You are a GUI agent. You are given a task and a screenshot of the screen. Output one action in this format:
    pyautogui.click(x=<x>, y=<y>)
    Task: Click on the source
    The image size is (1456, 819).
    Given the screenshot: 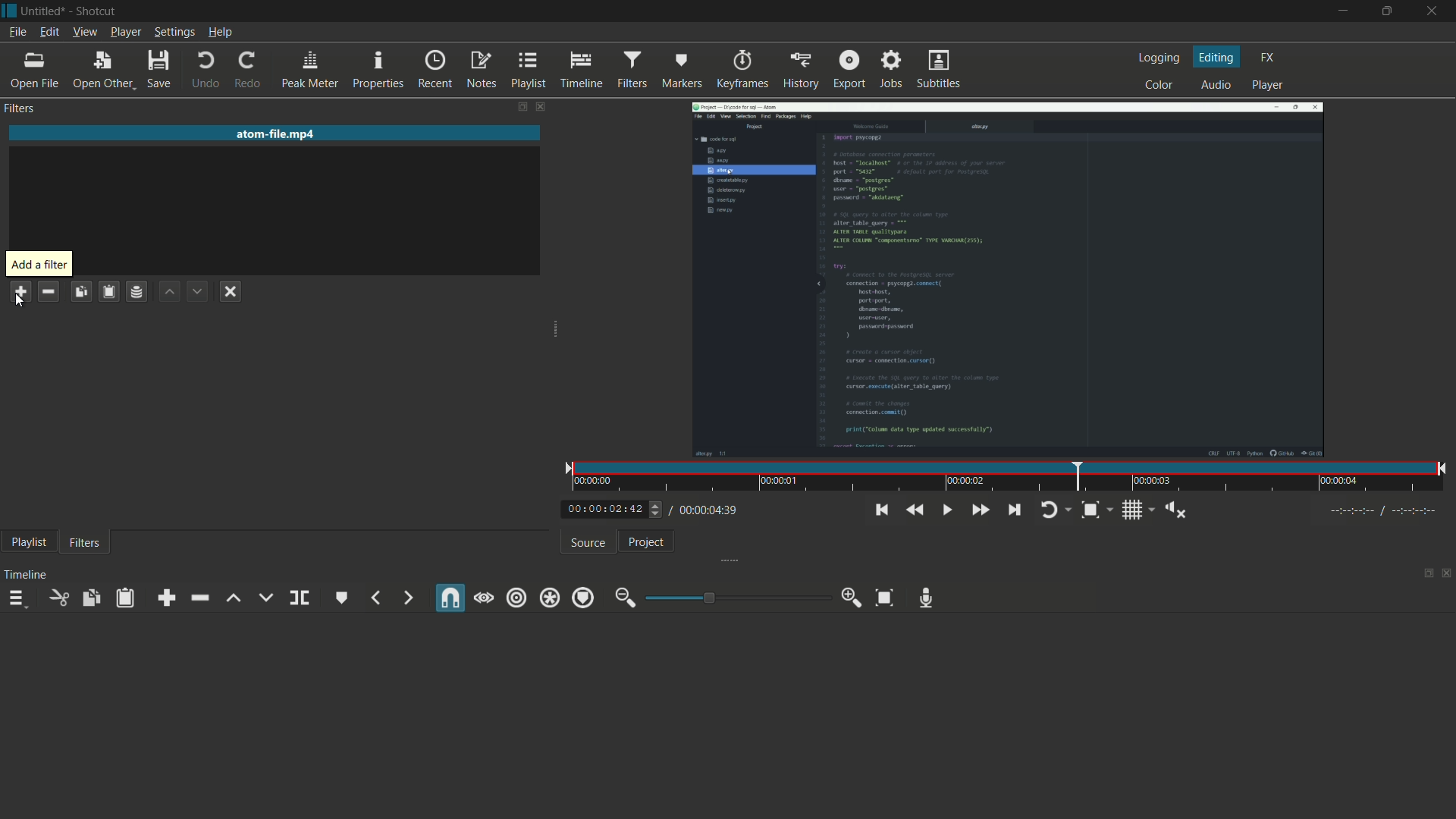 What is the action you would take?
    pyautogui.click(x=588, y=543)
    